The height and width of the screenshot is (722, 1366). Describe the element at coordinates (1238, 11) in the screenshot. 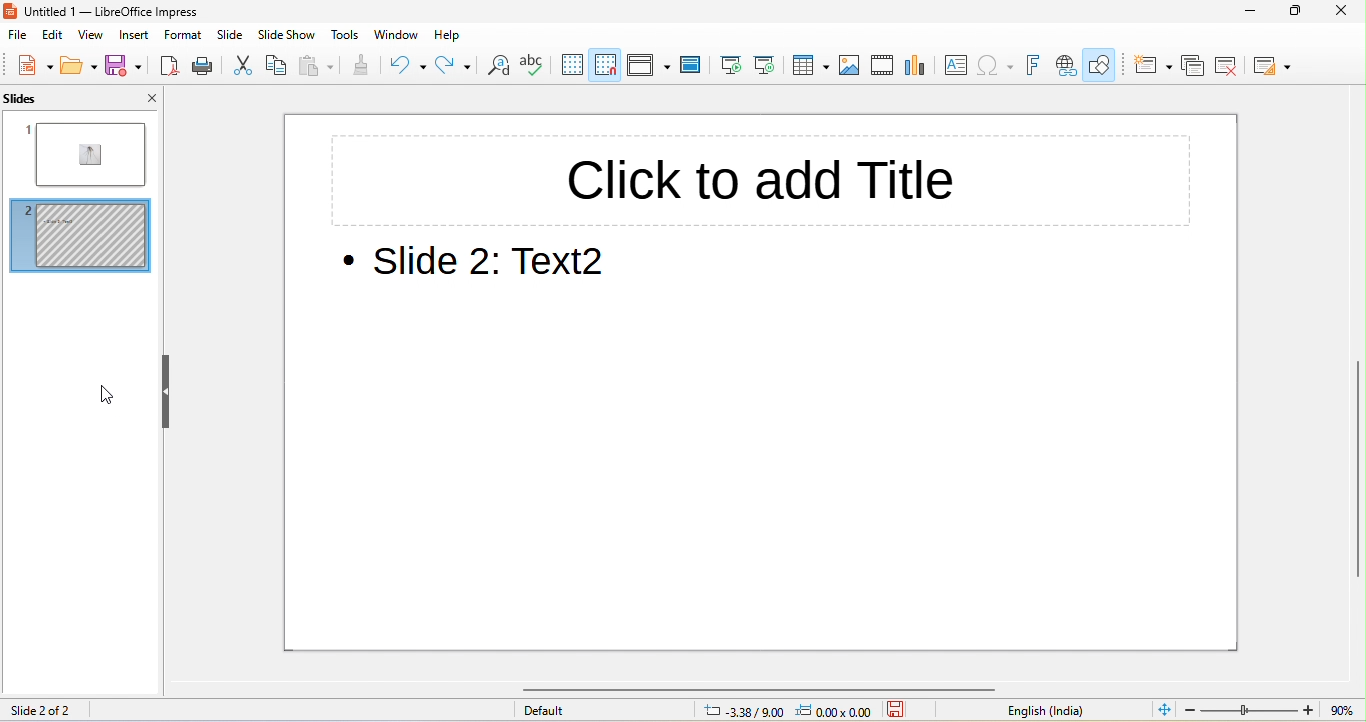

I see `minimize` at that location.